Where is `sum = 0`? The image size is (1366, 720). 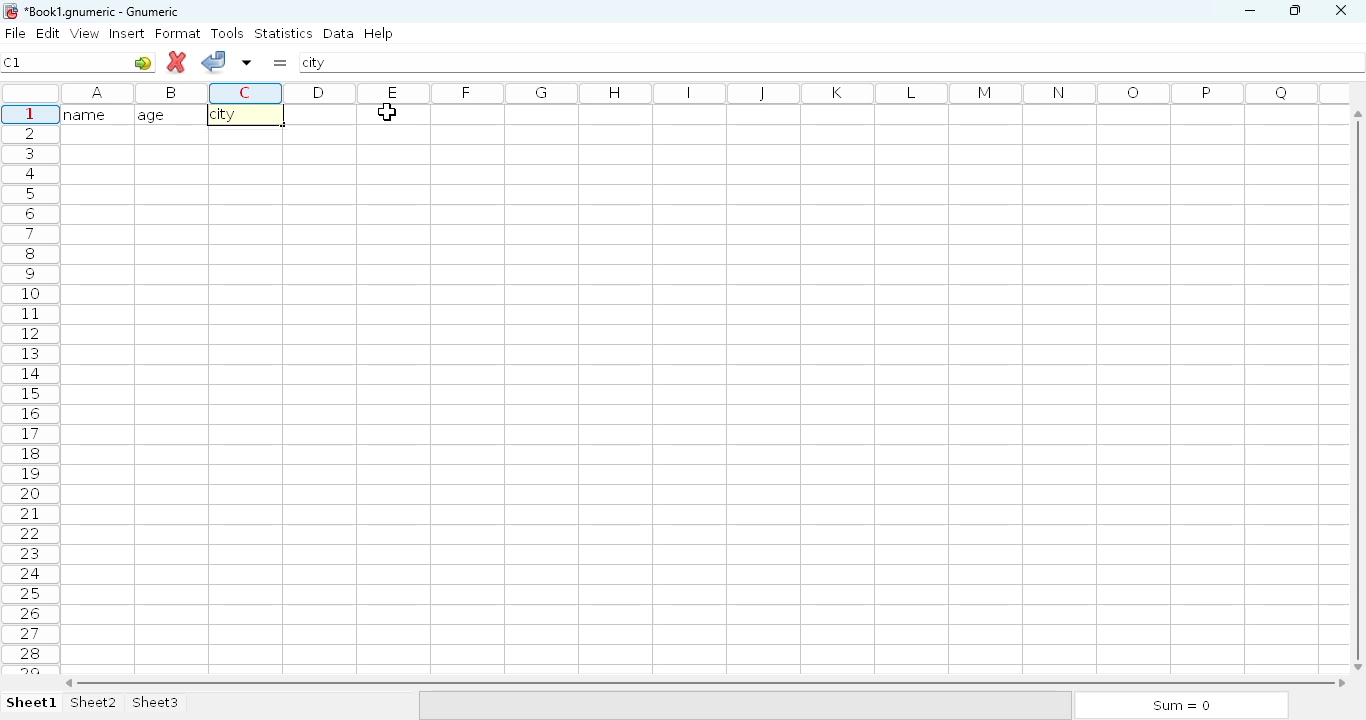 sum = 0 is located at coordinates (1179, 706).